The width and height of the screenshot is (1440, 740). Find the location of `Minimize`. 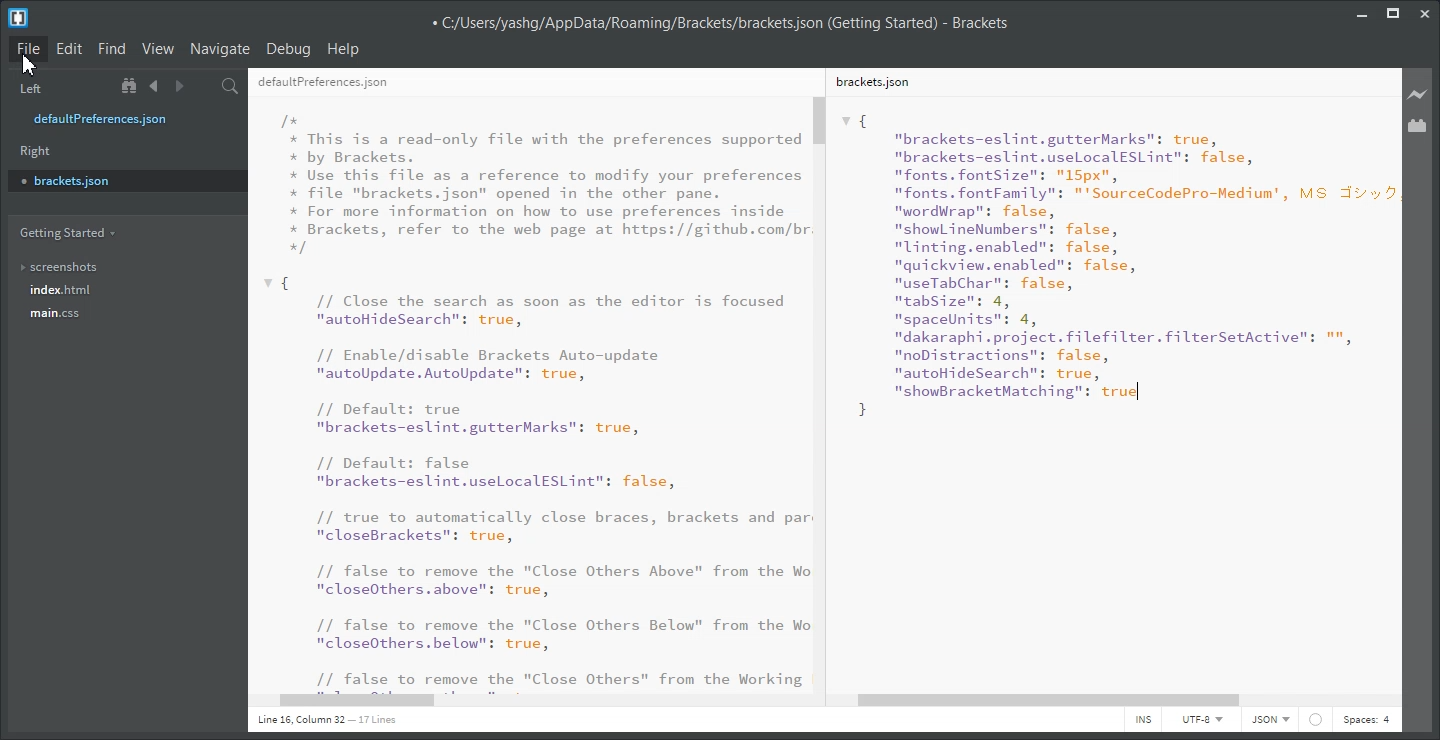

Minimize is located at coordinates (1362, 11).